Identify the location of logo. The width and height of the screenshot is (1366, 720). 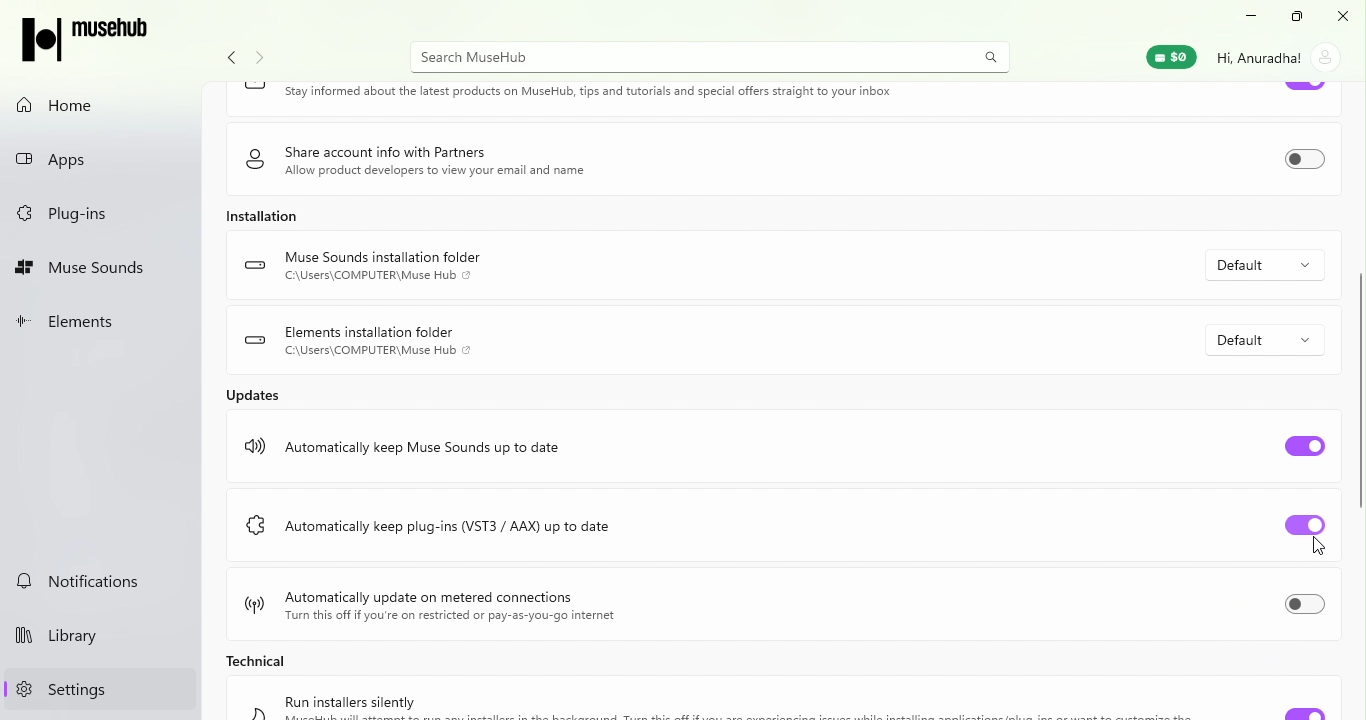
(254, 443).